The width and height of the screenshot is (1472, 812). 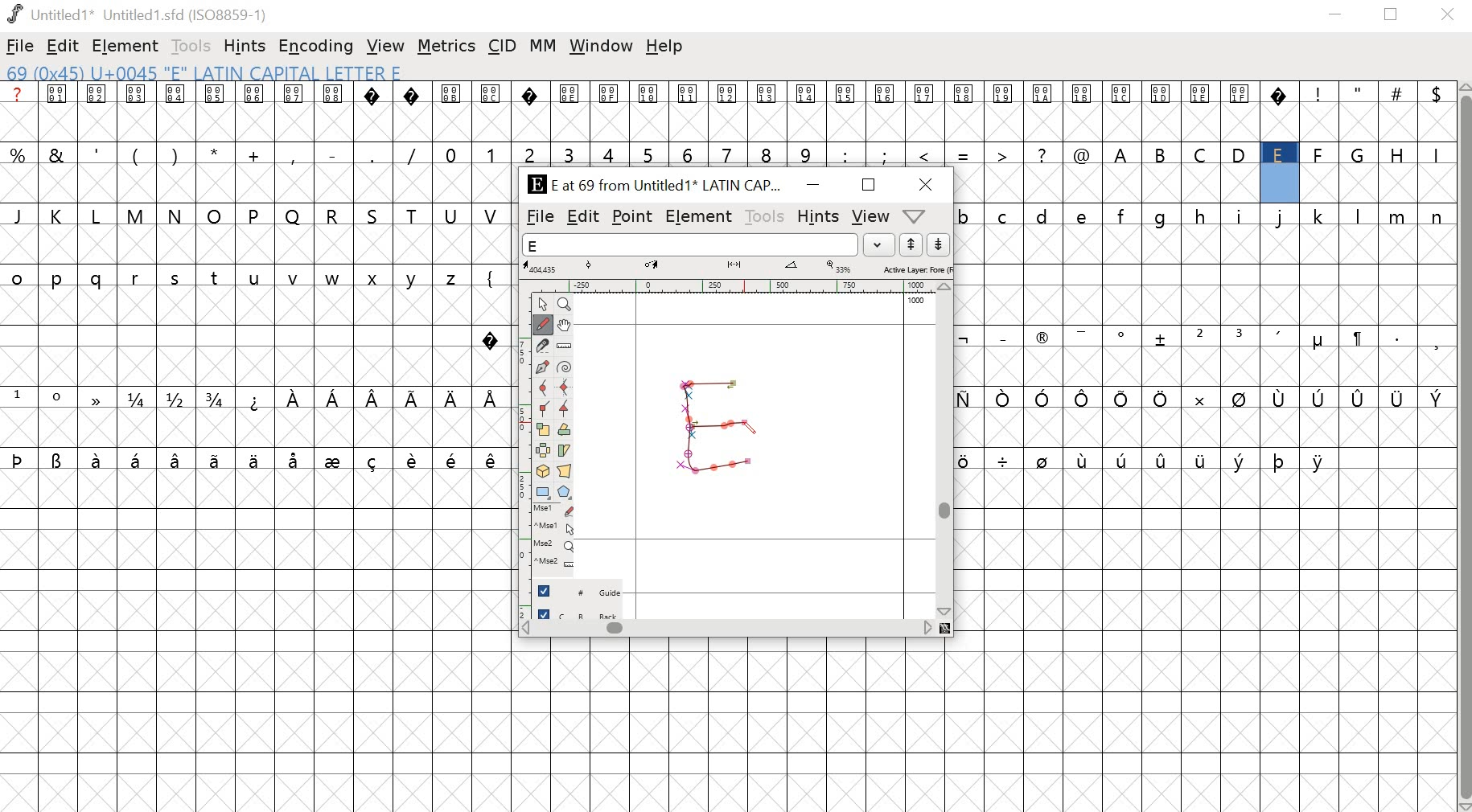 I want to click on down, so click(x=937, y=244).